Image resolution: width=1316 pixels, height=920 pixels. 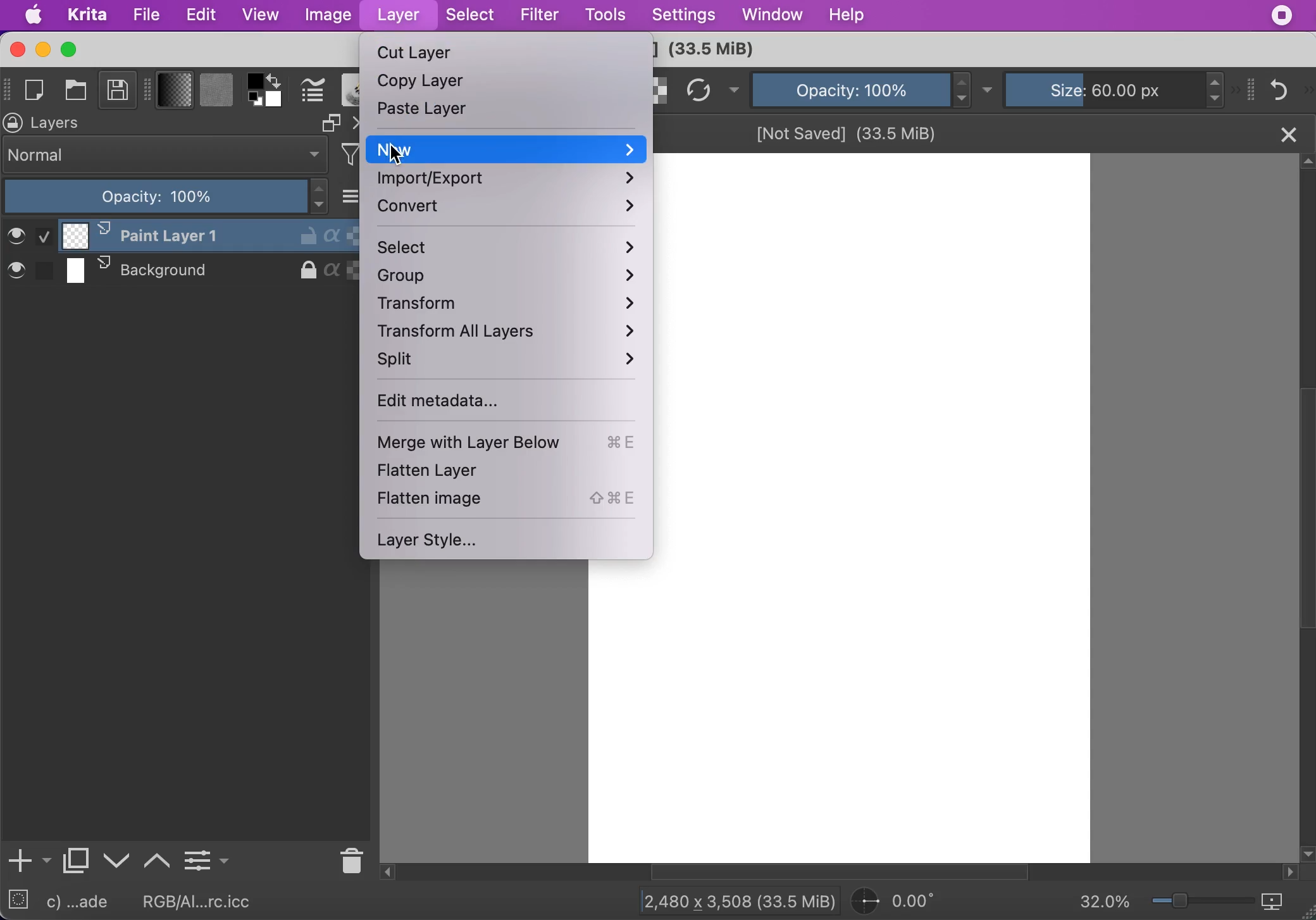 What do you see at coordinates (275, 101) in the screenshot?
I see `background color selector` at bounding box center [275, 101].